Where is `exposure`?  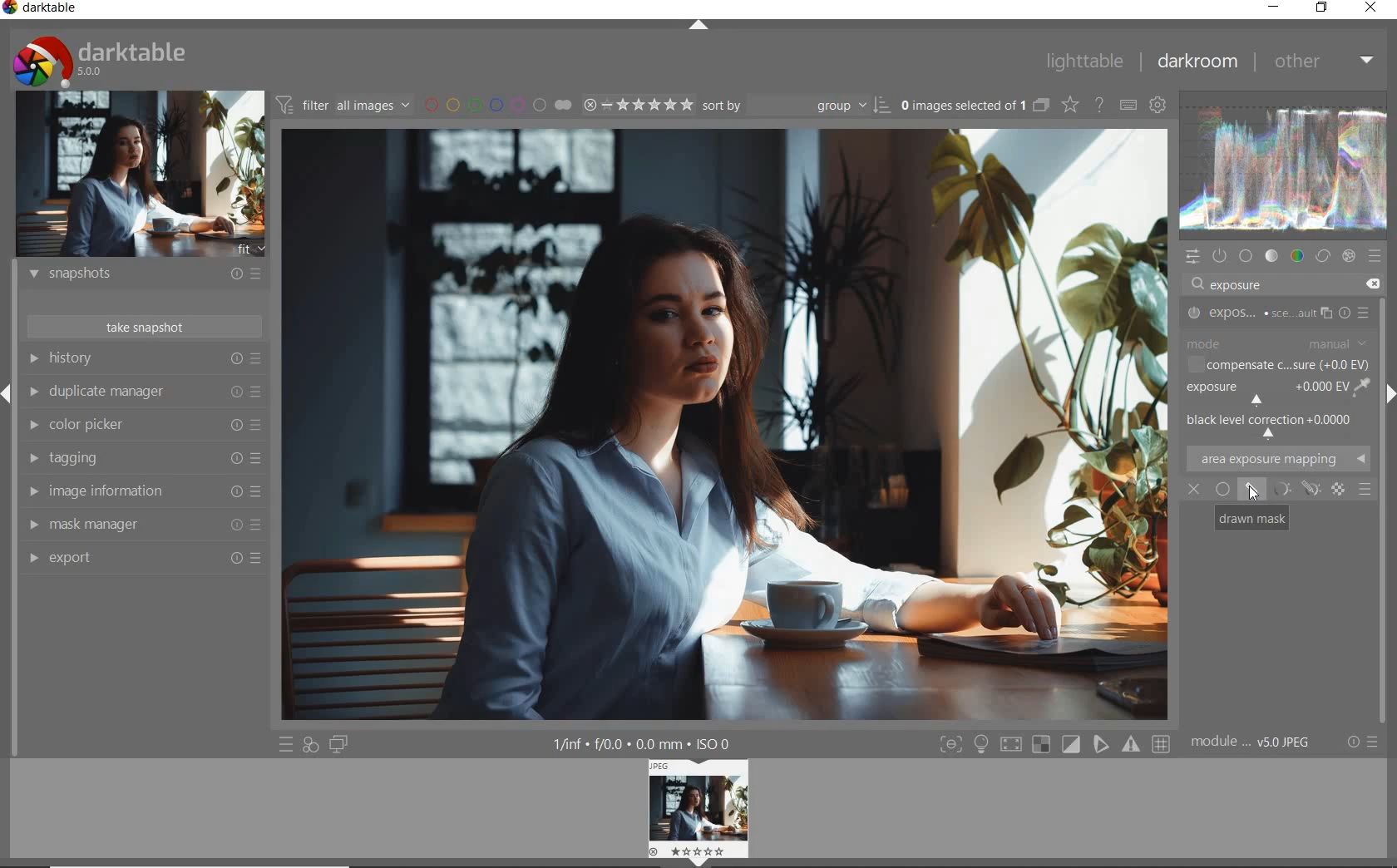
exposure is located at coordinates (1238, 284).